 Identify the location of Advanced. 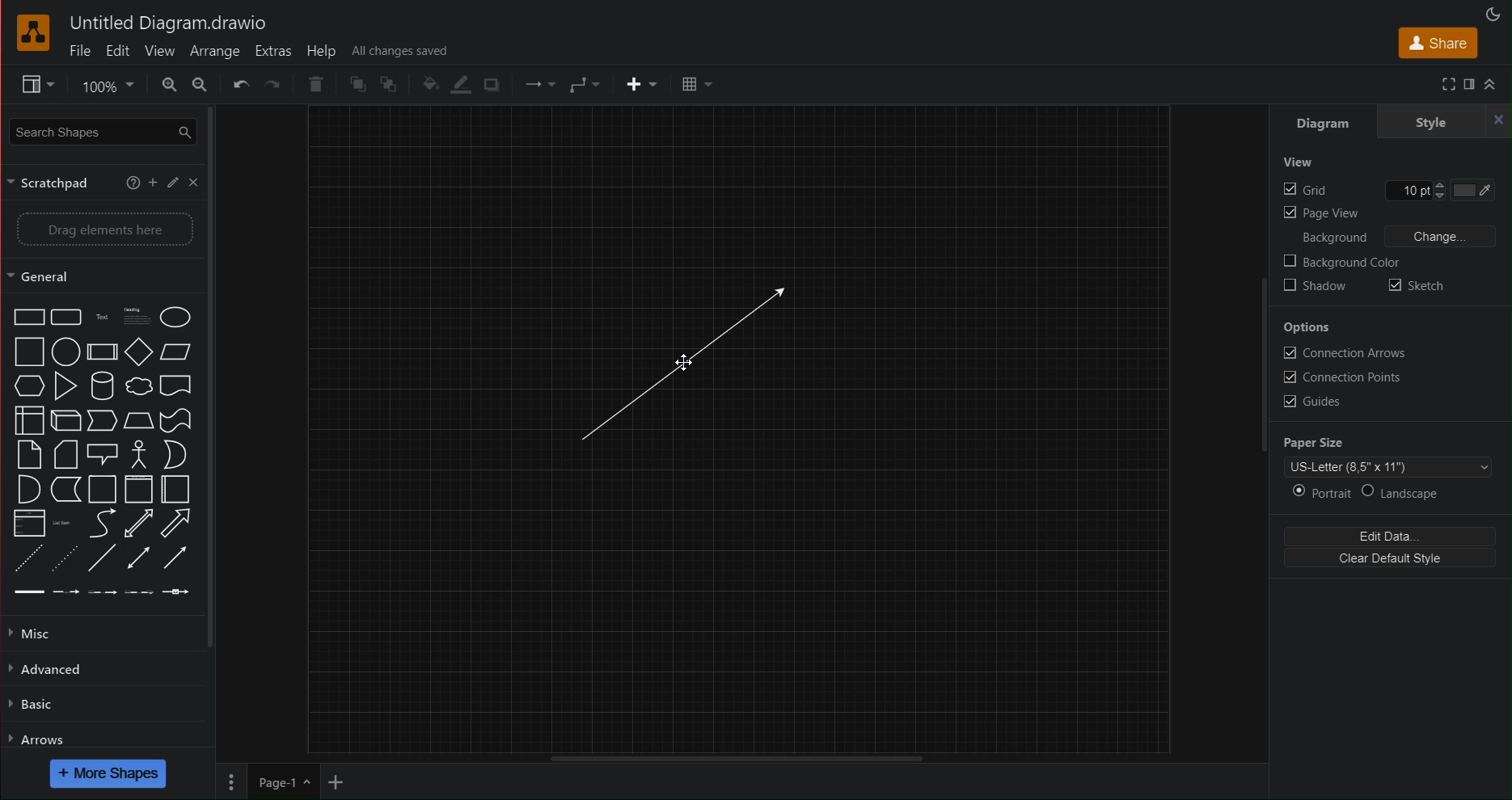
(50, 669).